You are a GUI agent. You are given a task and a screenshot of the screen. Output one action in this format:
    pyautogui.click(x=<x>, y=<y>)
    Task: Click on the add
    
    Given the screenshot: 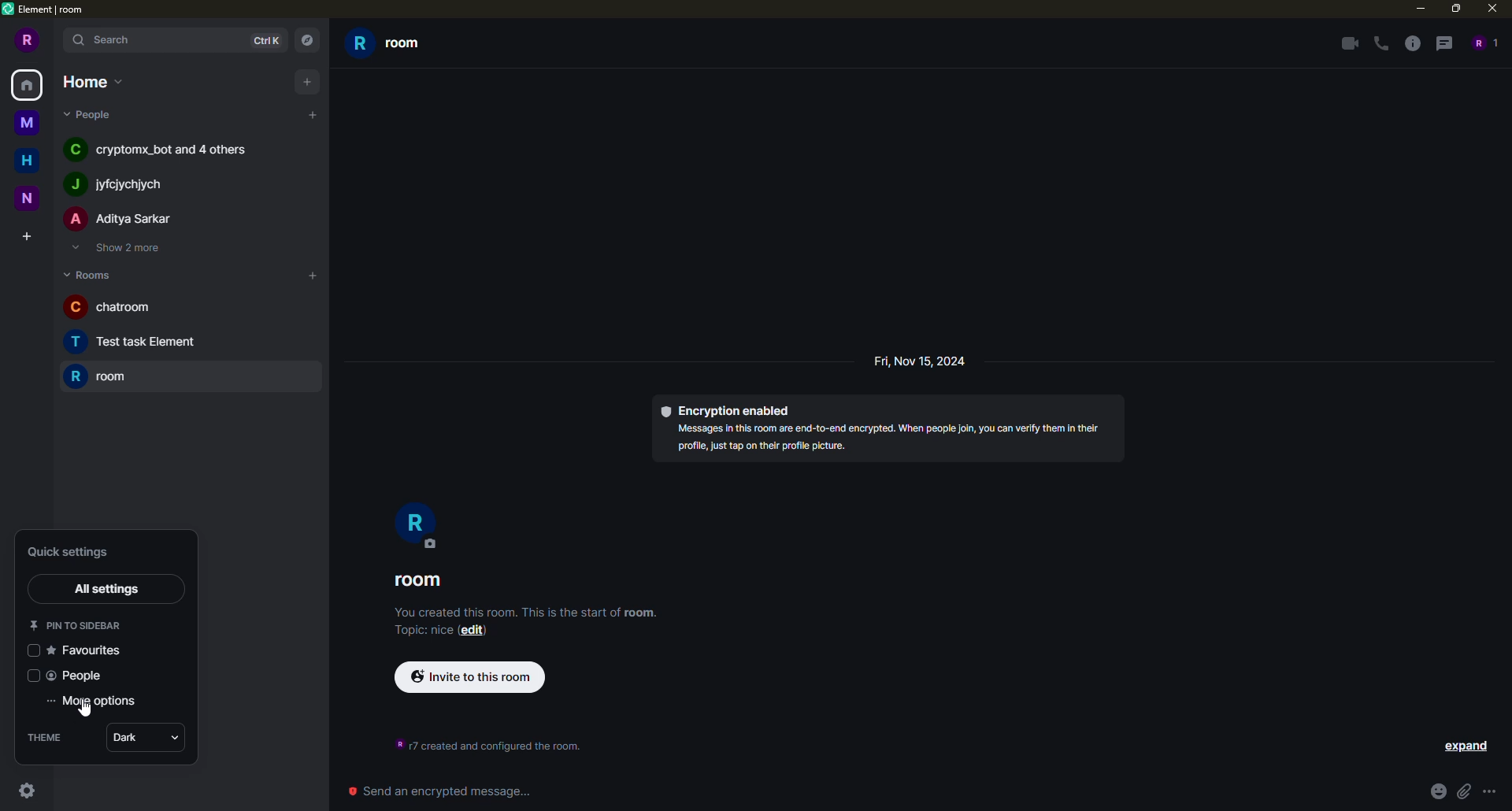 What is the action you would take?
    pyautogui.click(x=313, y=276)
    